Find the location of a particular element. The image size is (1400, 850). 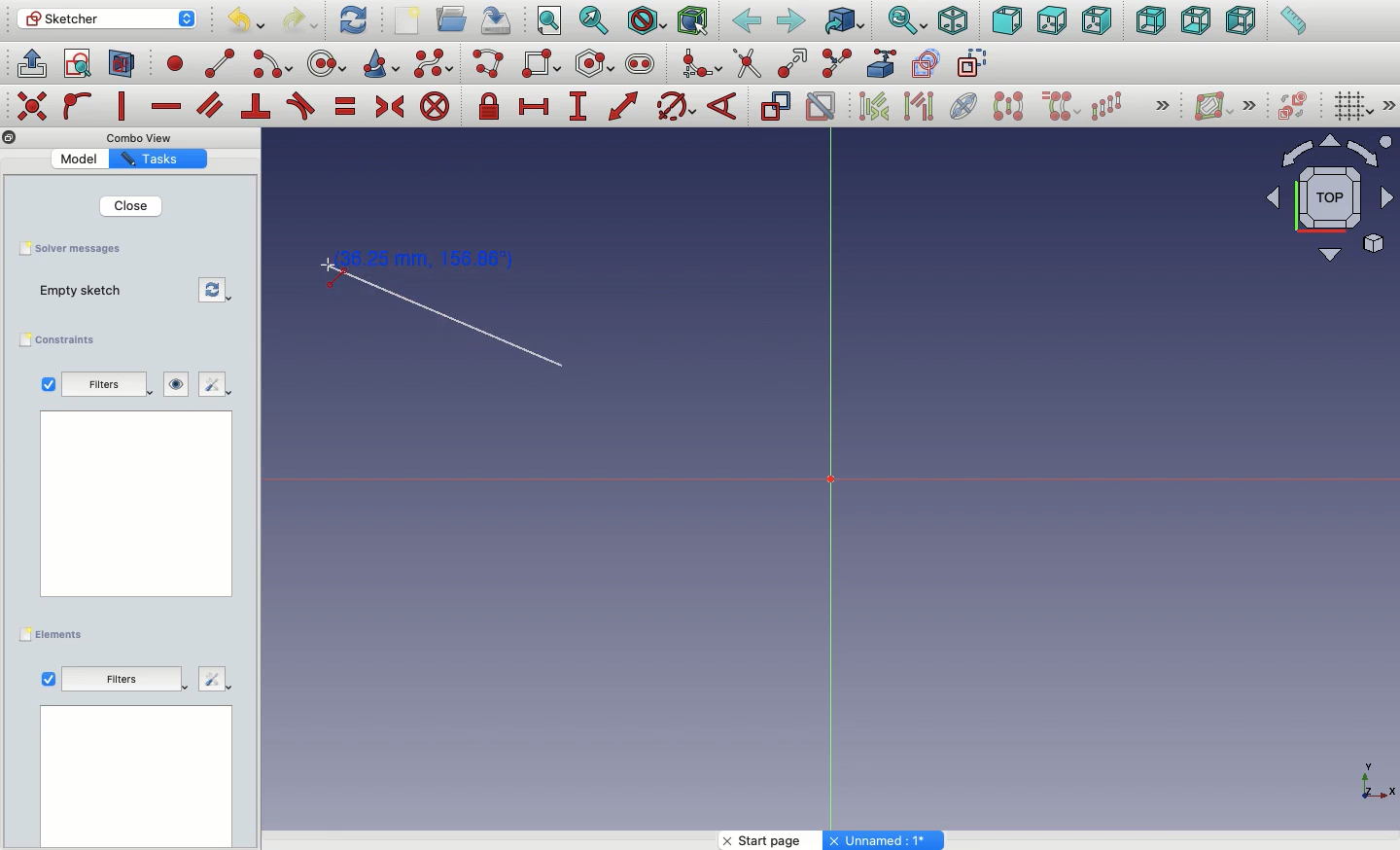

Bottom is located at coordinates (1196, 22).